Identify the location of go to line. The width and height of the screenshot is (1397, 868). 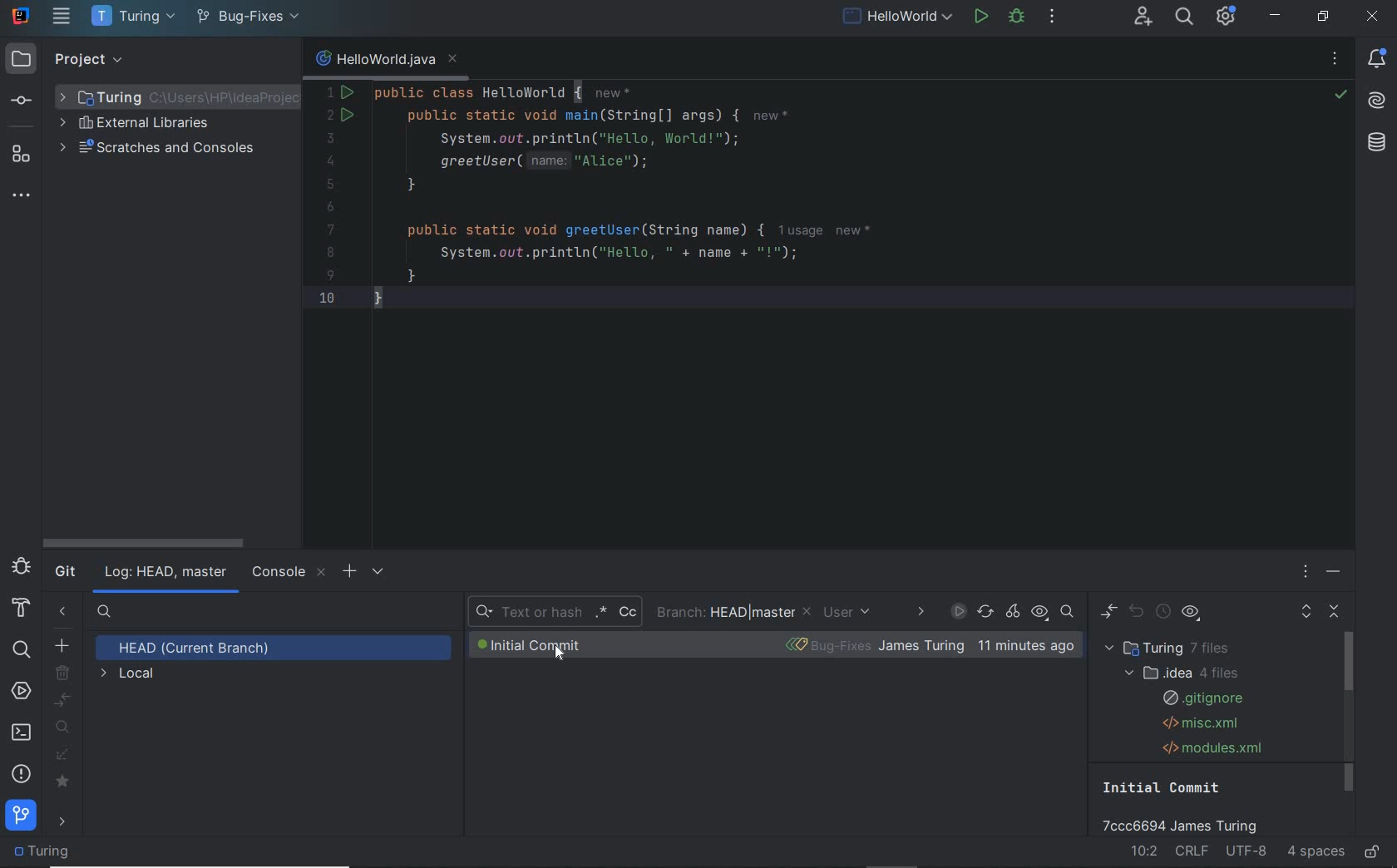
(1145, 850).